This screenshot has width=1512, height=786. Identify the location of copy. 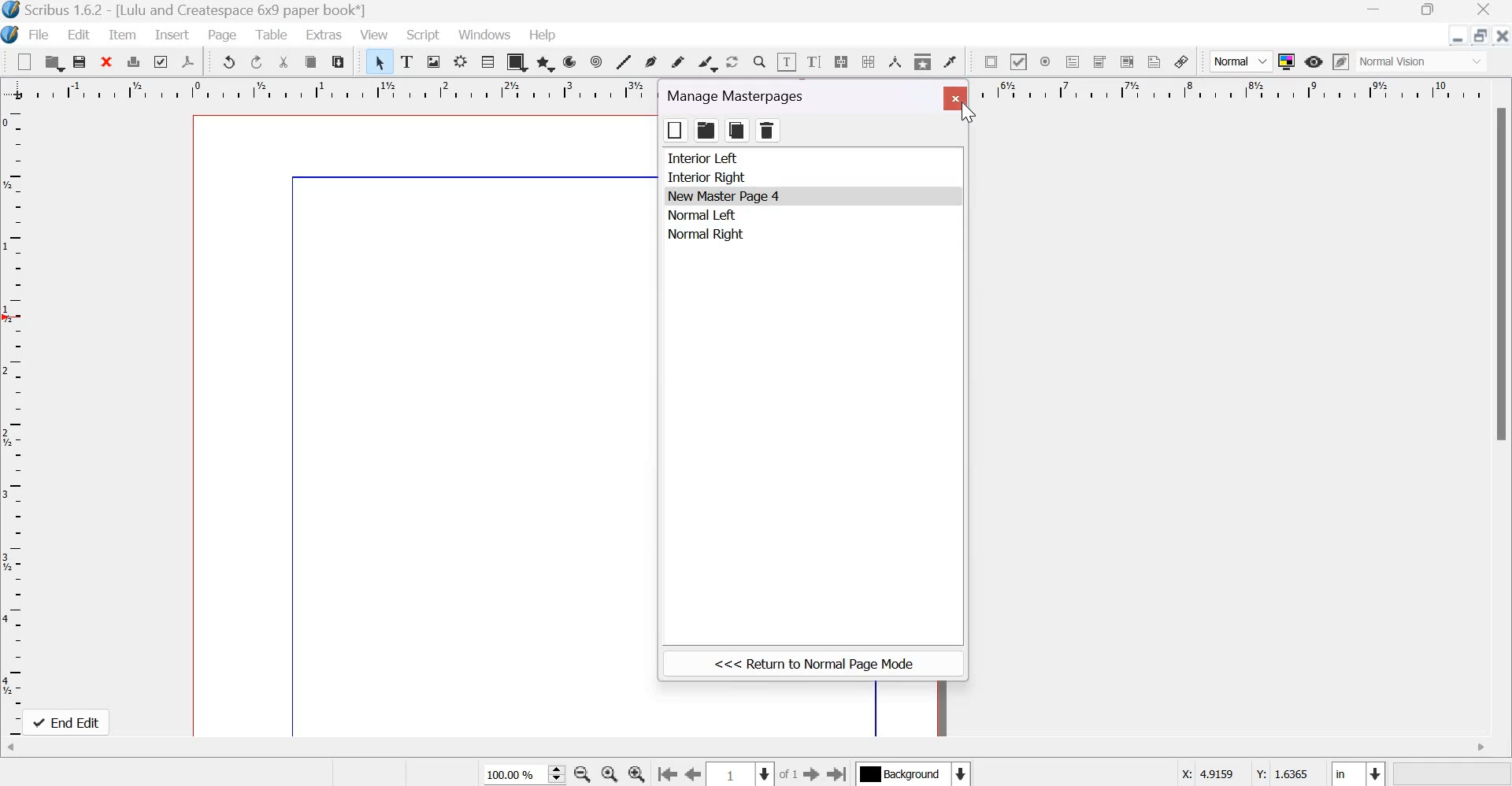
(737, 130).